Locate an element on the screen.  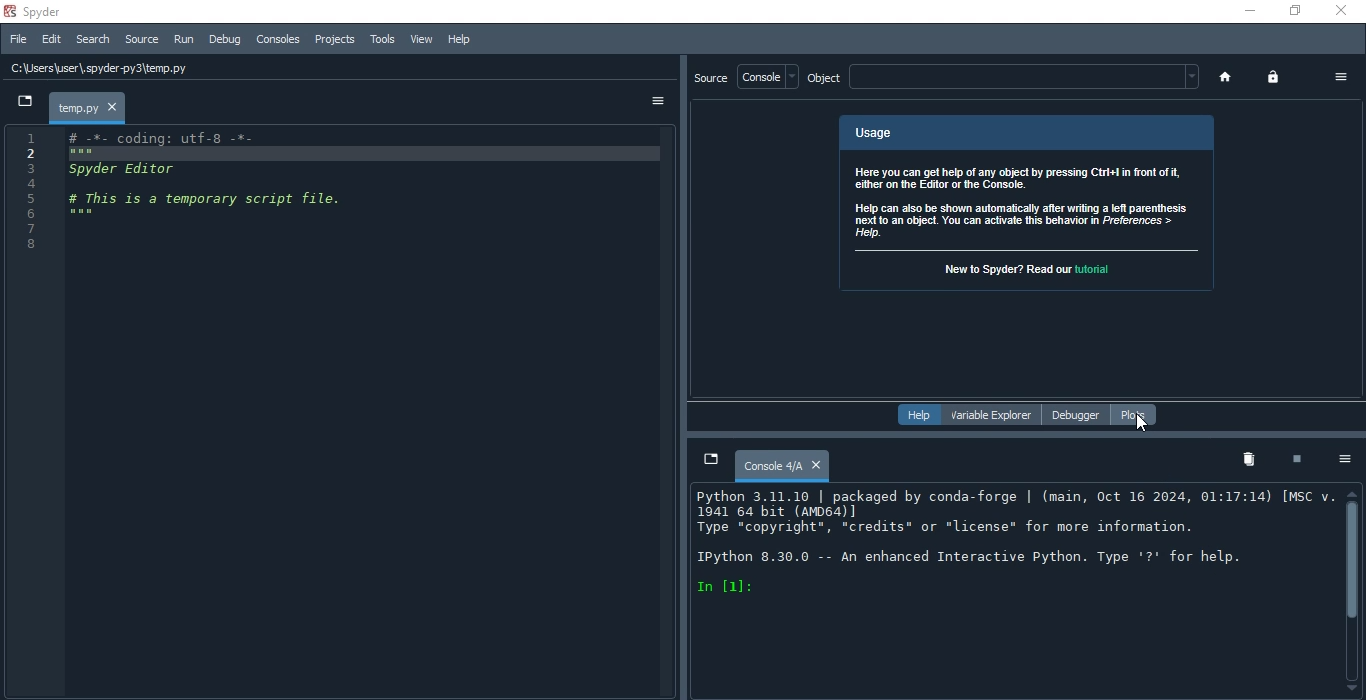
ipython console pane is located at coordinates (1007, 593).